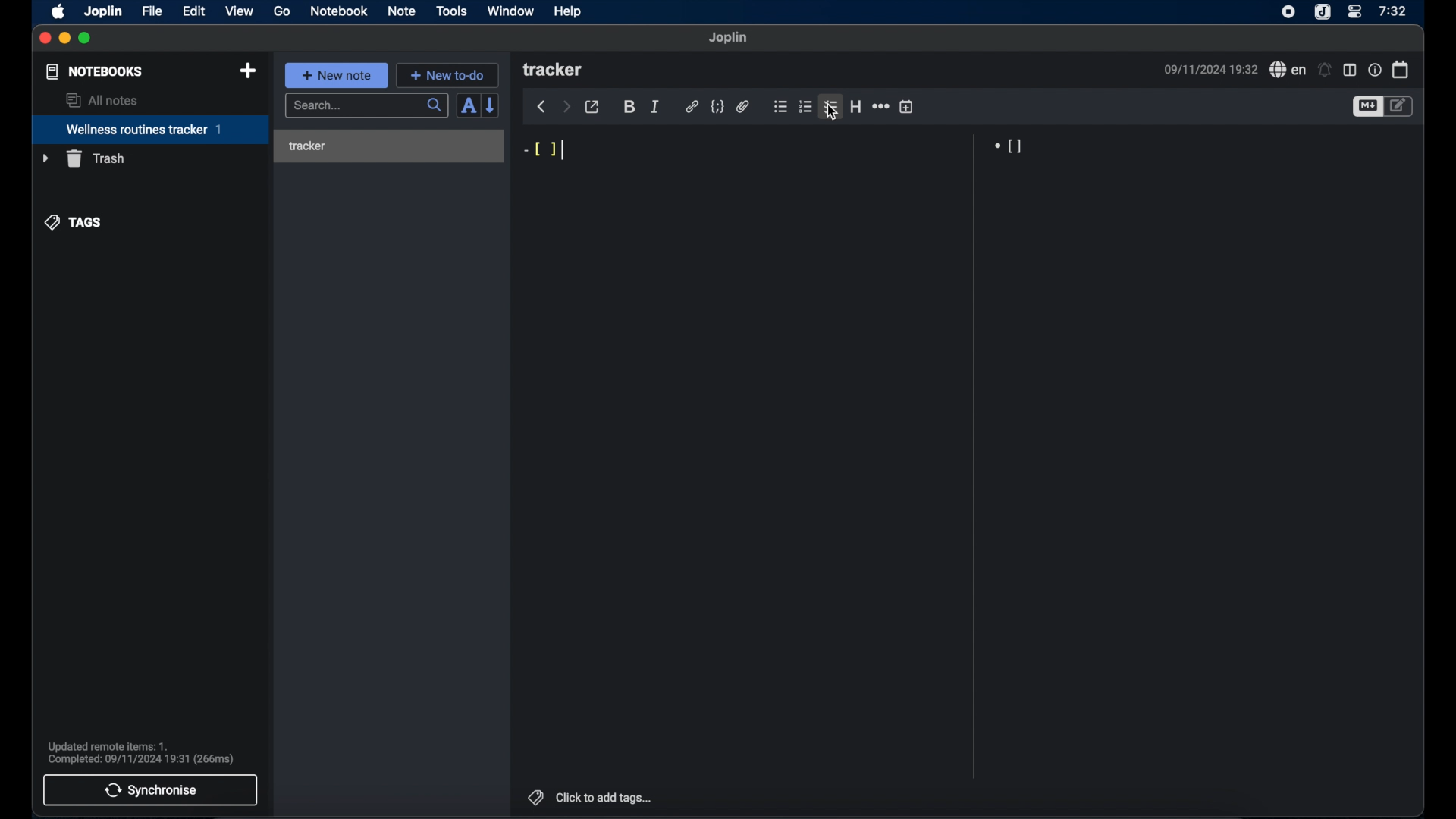 This screenshot has width=1456, height=819. I want to click on [], so click(1010, 146).